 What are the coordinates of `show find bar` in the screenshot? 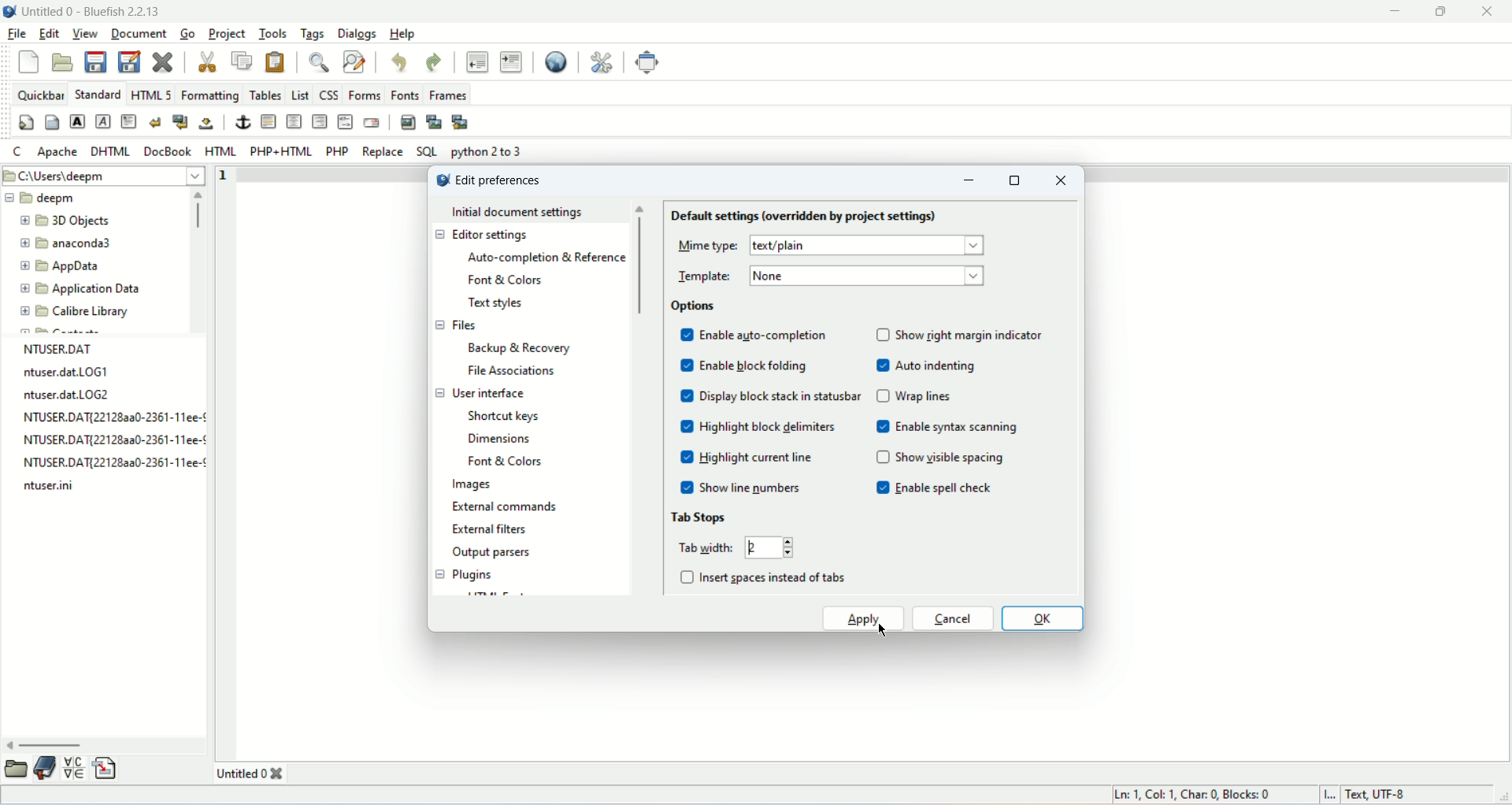 It's located at (318, 61).